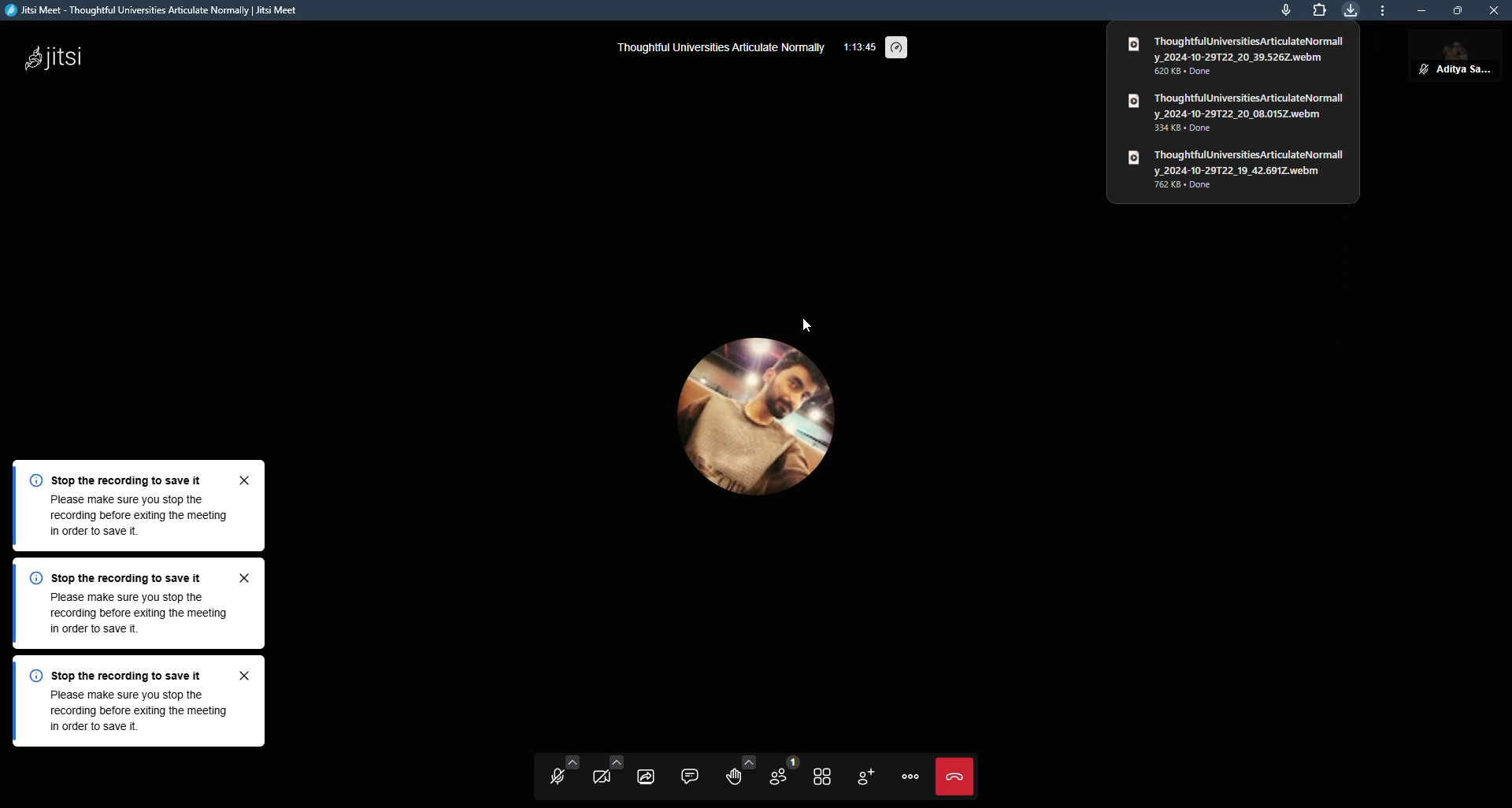  What do you see at coordinates (1199, 72) in the screenshot?
I see `620 KB - Done` at bounding box center [1199, 72].